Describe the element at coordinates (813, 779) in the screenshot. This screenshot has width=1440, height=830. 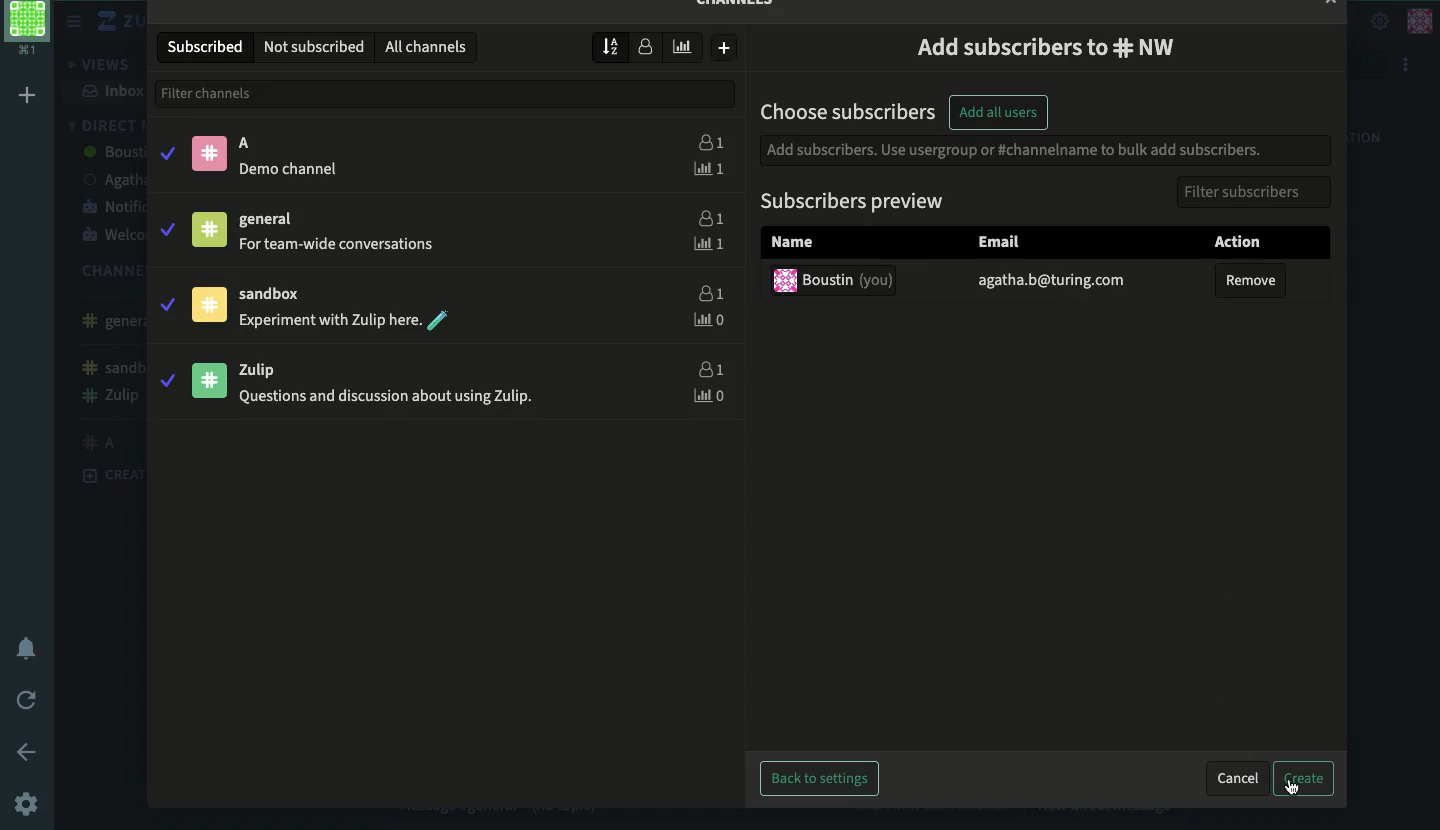
I see `back to settings` at that location.